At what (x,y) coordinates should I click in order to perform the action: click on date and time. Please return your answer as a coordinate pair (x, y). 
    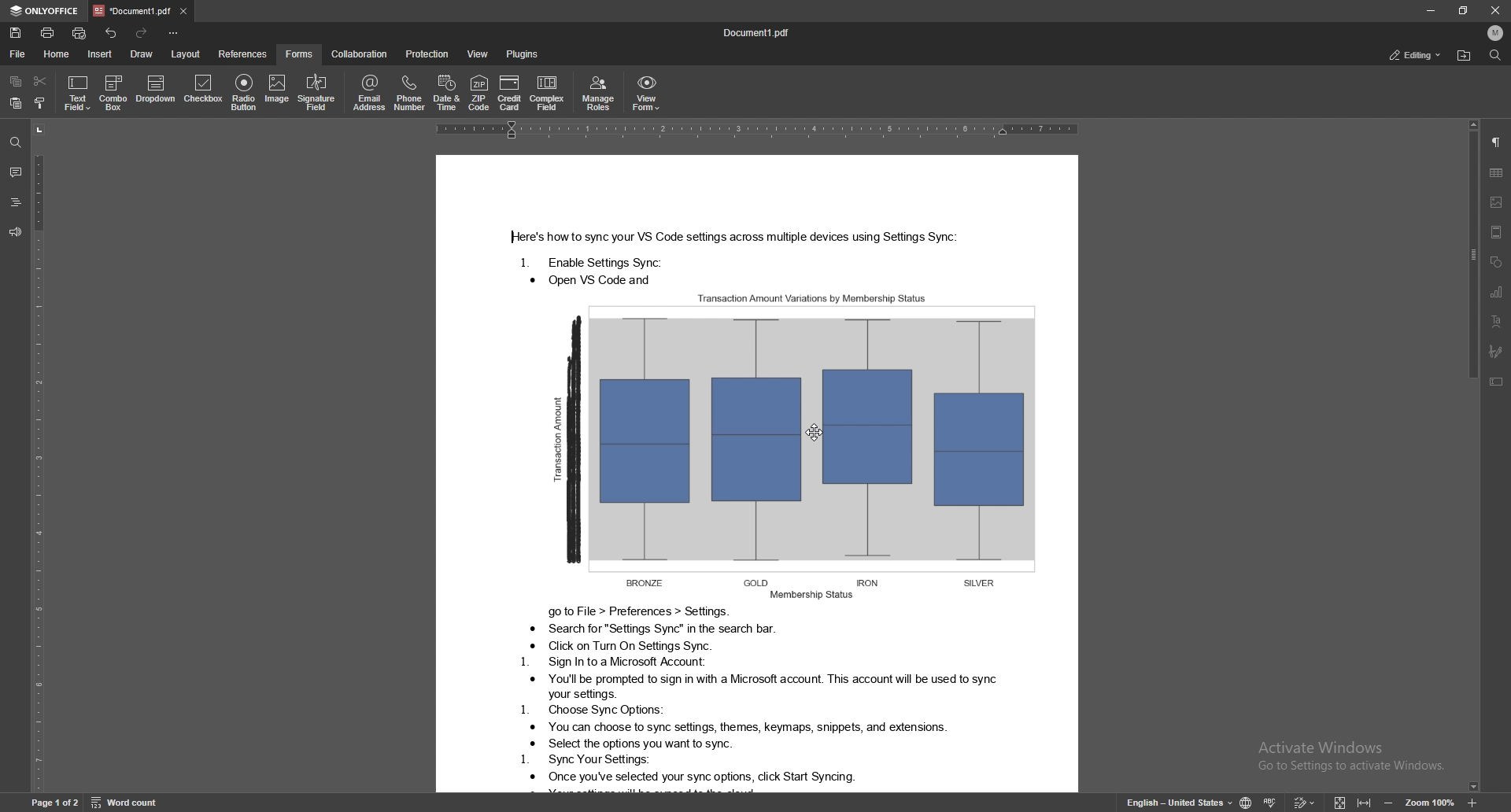
    Looking at the image, I should click on (446, 93).